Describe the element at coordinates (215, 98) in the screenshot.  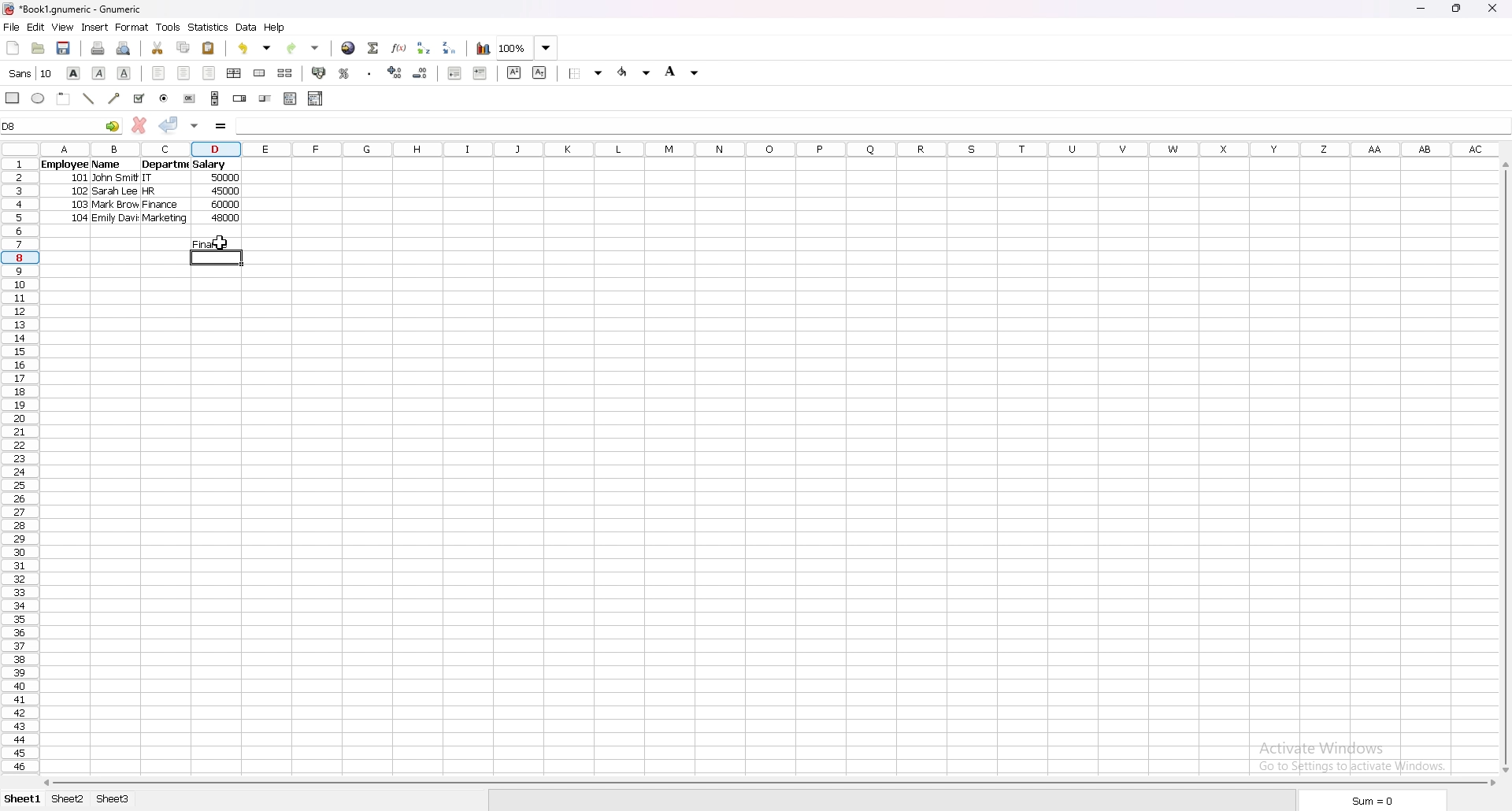
I see `scroll bar` at that location.